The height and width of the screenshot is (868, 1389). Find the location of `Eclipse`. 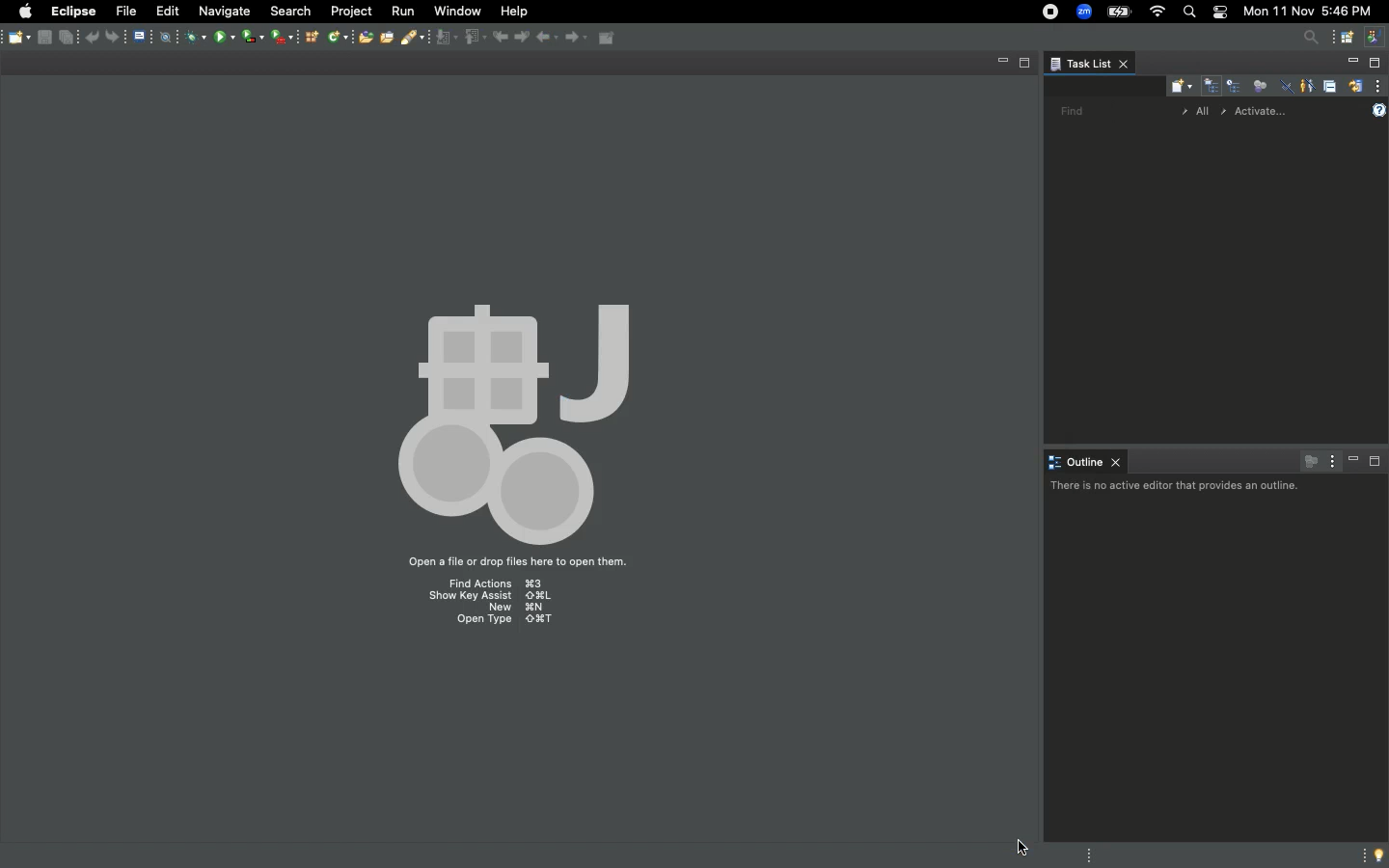

Eclipse is located at coordinates (71, 11).